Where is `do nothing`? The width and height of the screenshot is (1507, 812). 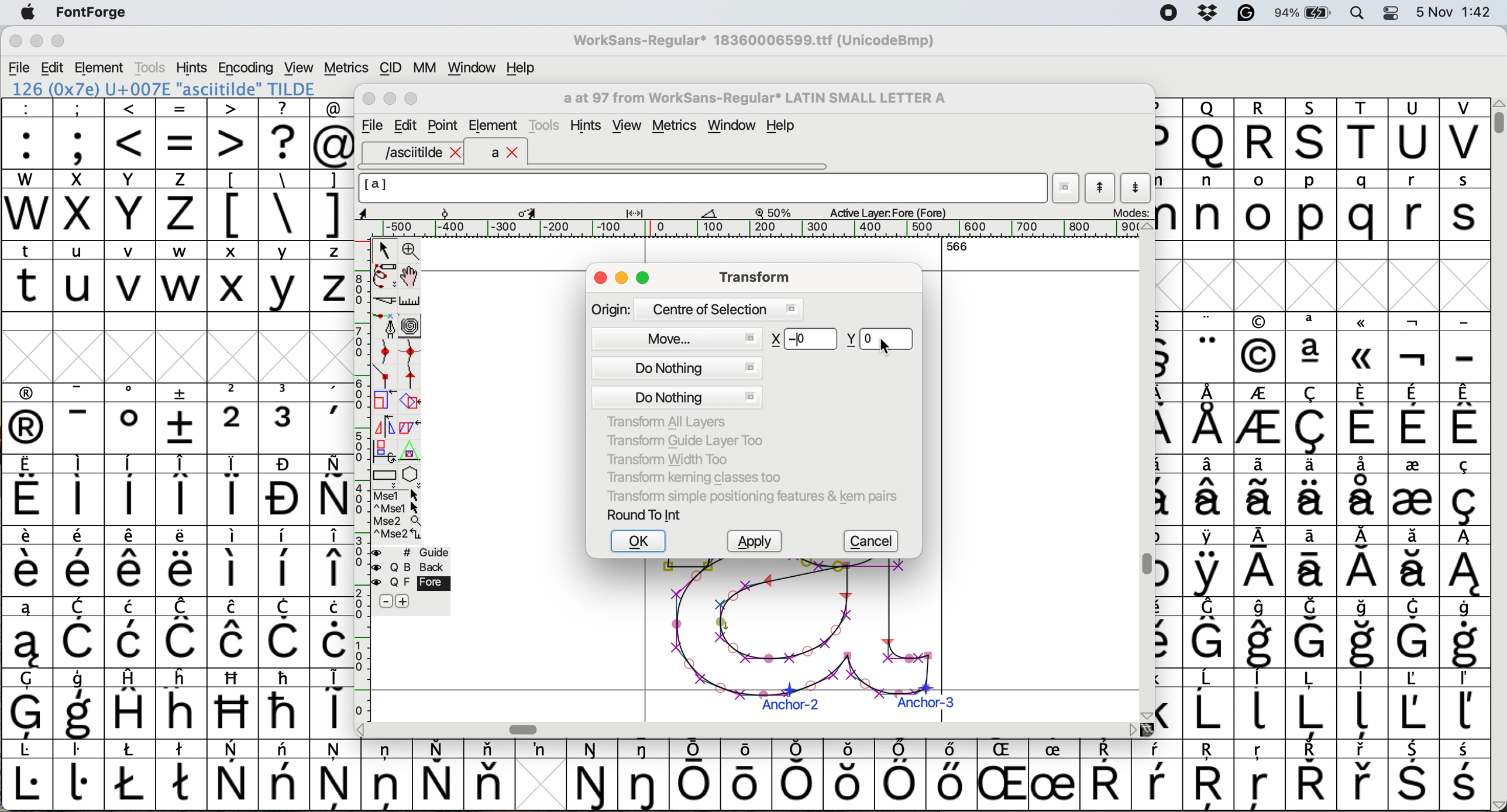
do nothing is located at coordinates (677, 383).